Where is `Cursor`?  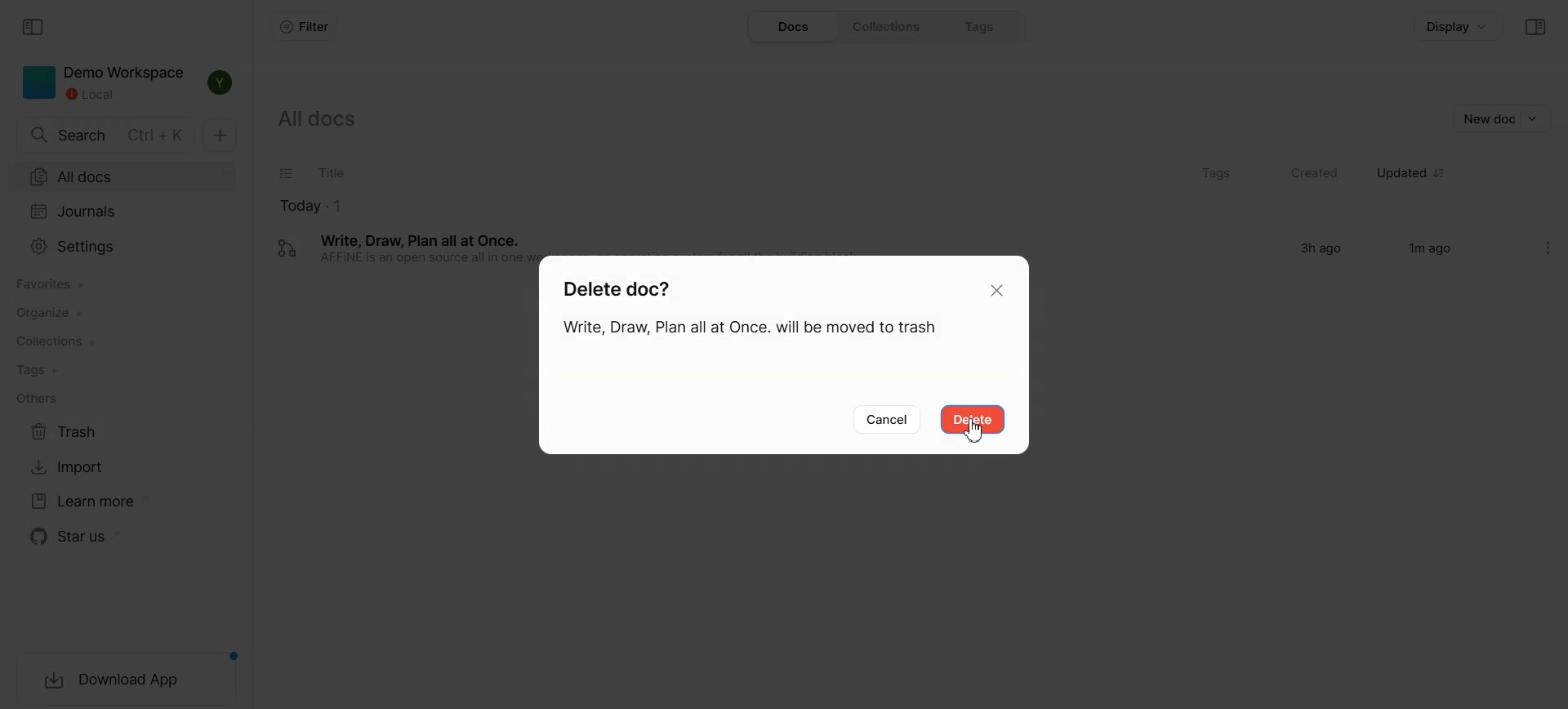 Cursor is located at coordinates (977, 431).